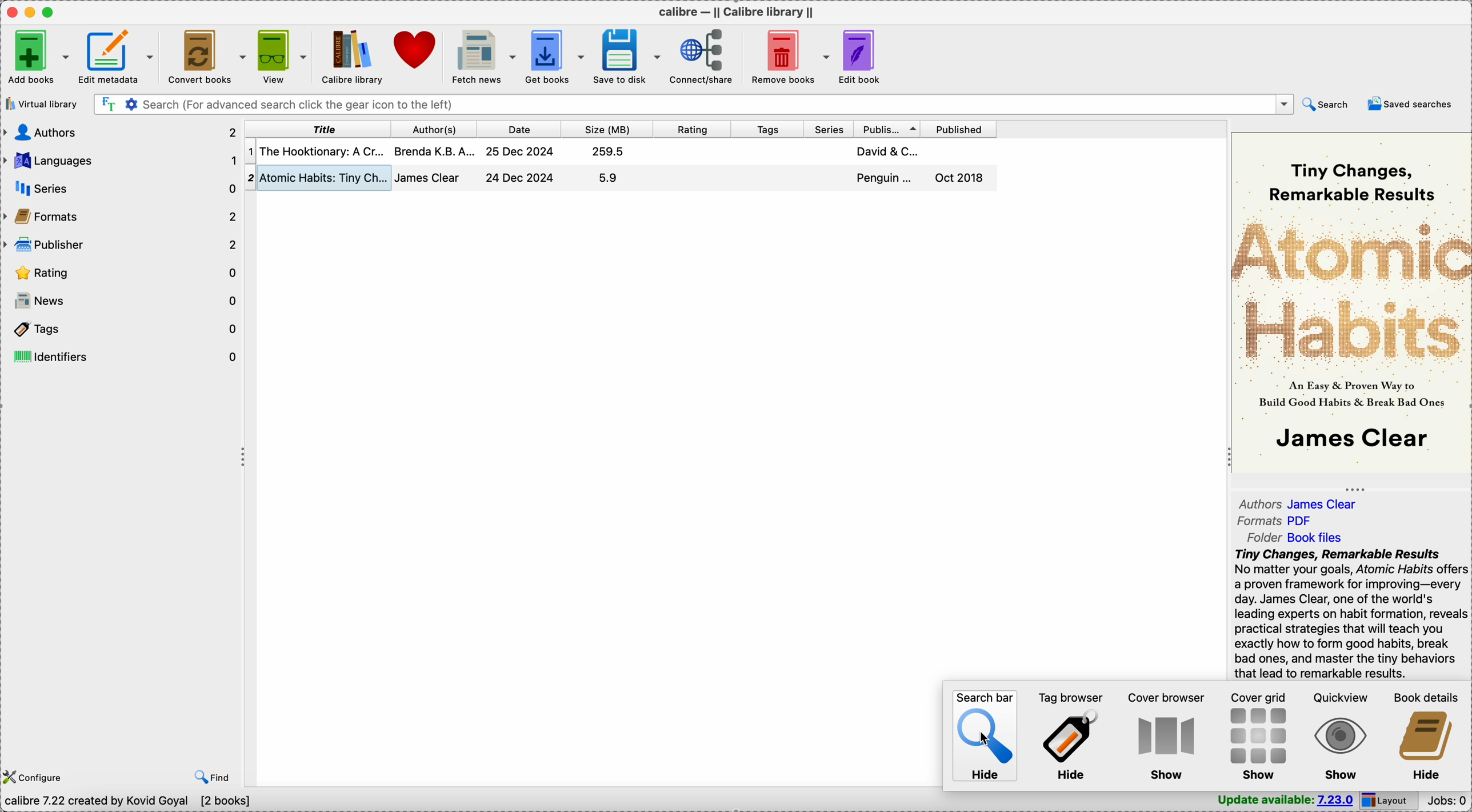 This screenshot has height=812, width=1472. Describe the element at coordinates (434, 151) in the screenshot. I see `brenda K.B.A...` at that location.